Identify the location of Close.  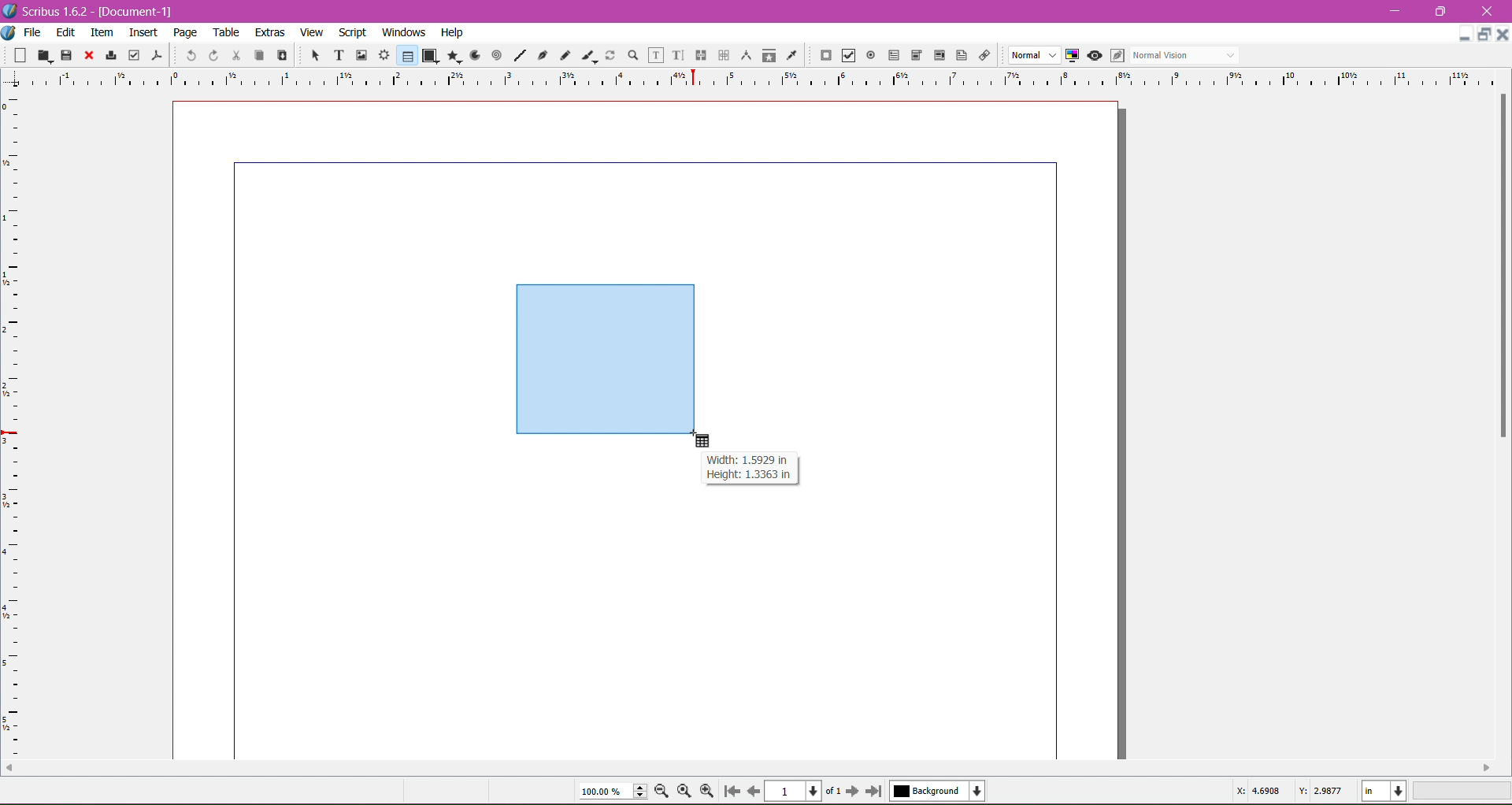
(1488, 12).